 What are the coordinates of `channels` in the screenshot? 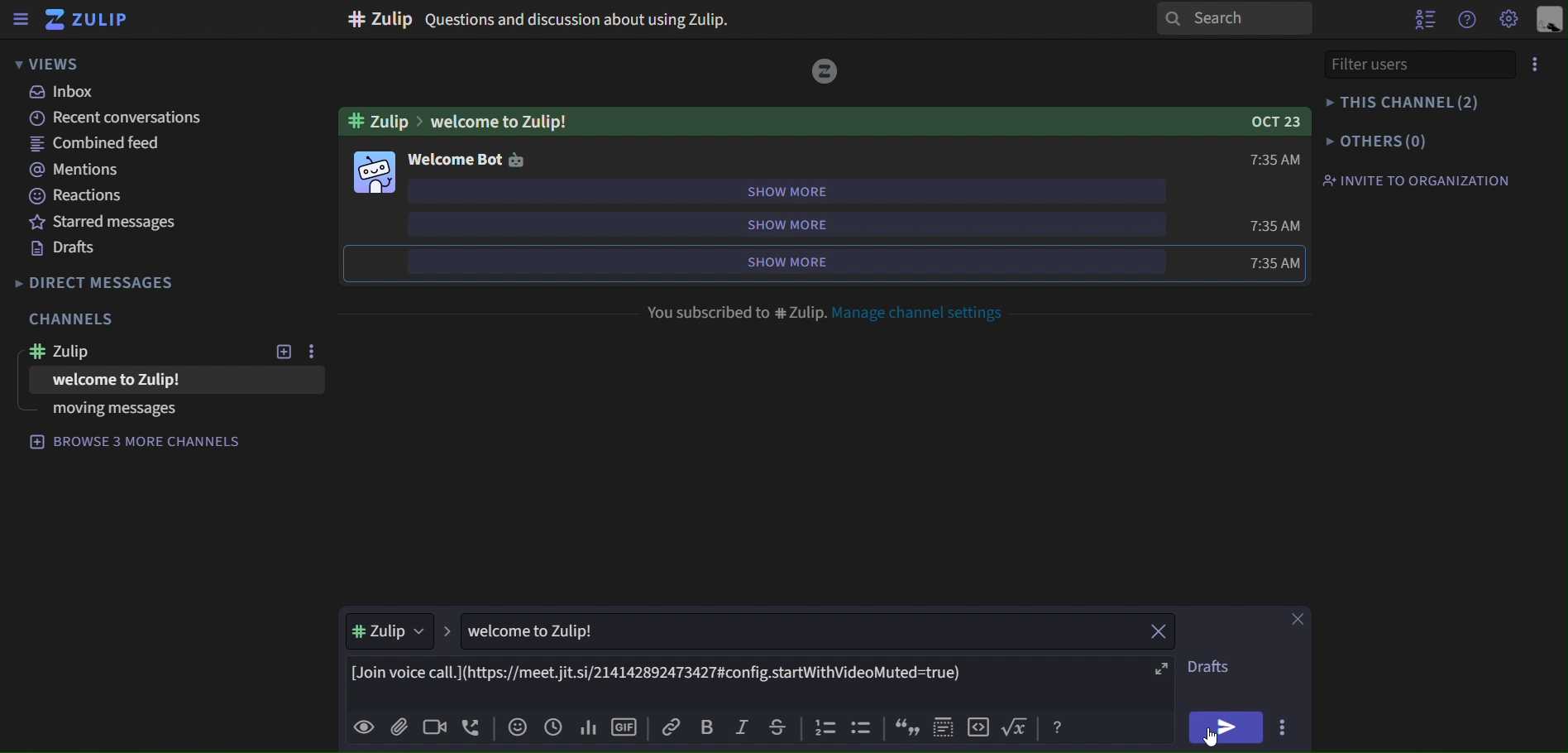 It's located at (76, 318).